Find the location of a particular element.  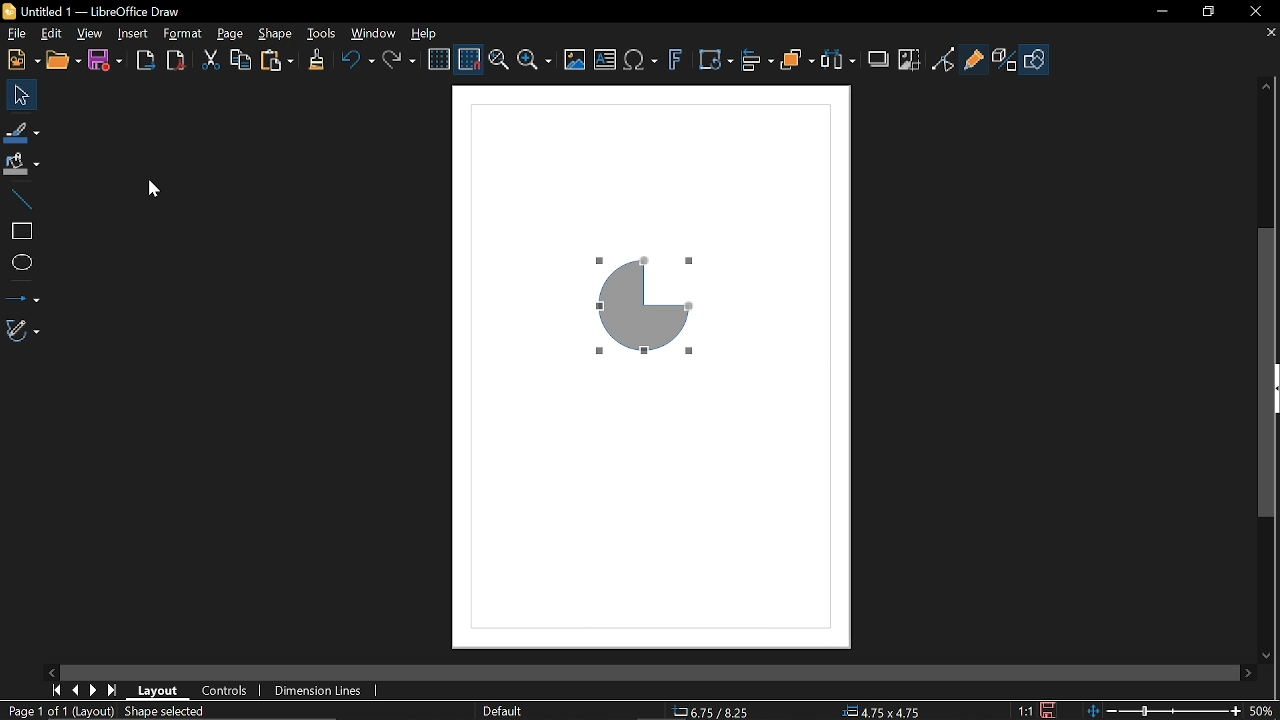

open is located at coordinates (63, 60).